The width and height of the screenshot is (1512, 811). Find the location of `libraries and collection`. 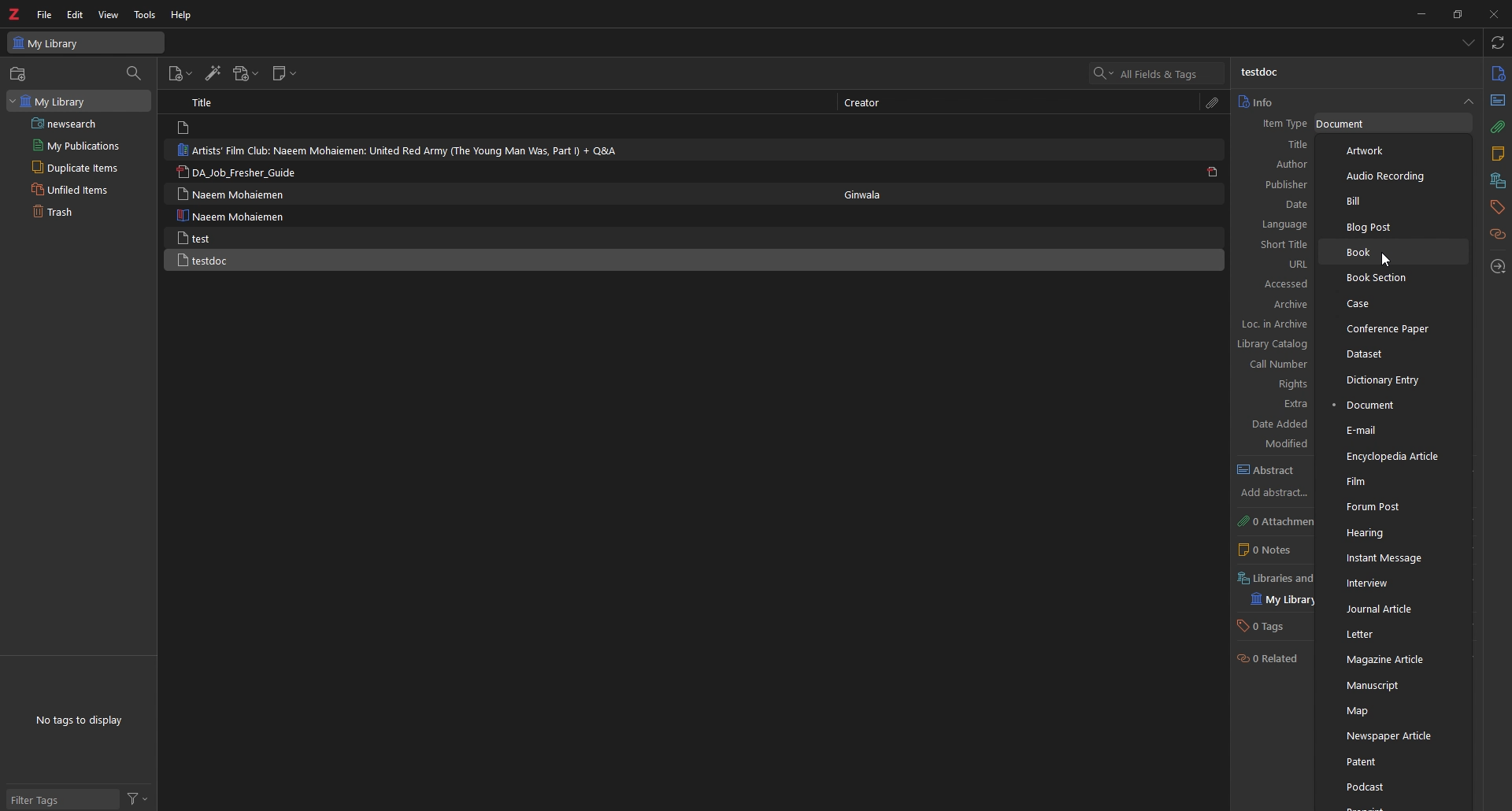

libraries and collection is located at coordinates (1498, 182).